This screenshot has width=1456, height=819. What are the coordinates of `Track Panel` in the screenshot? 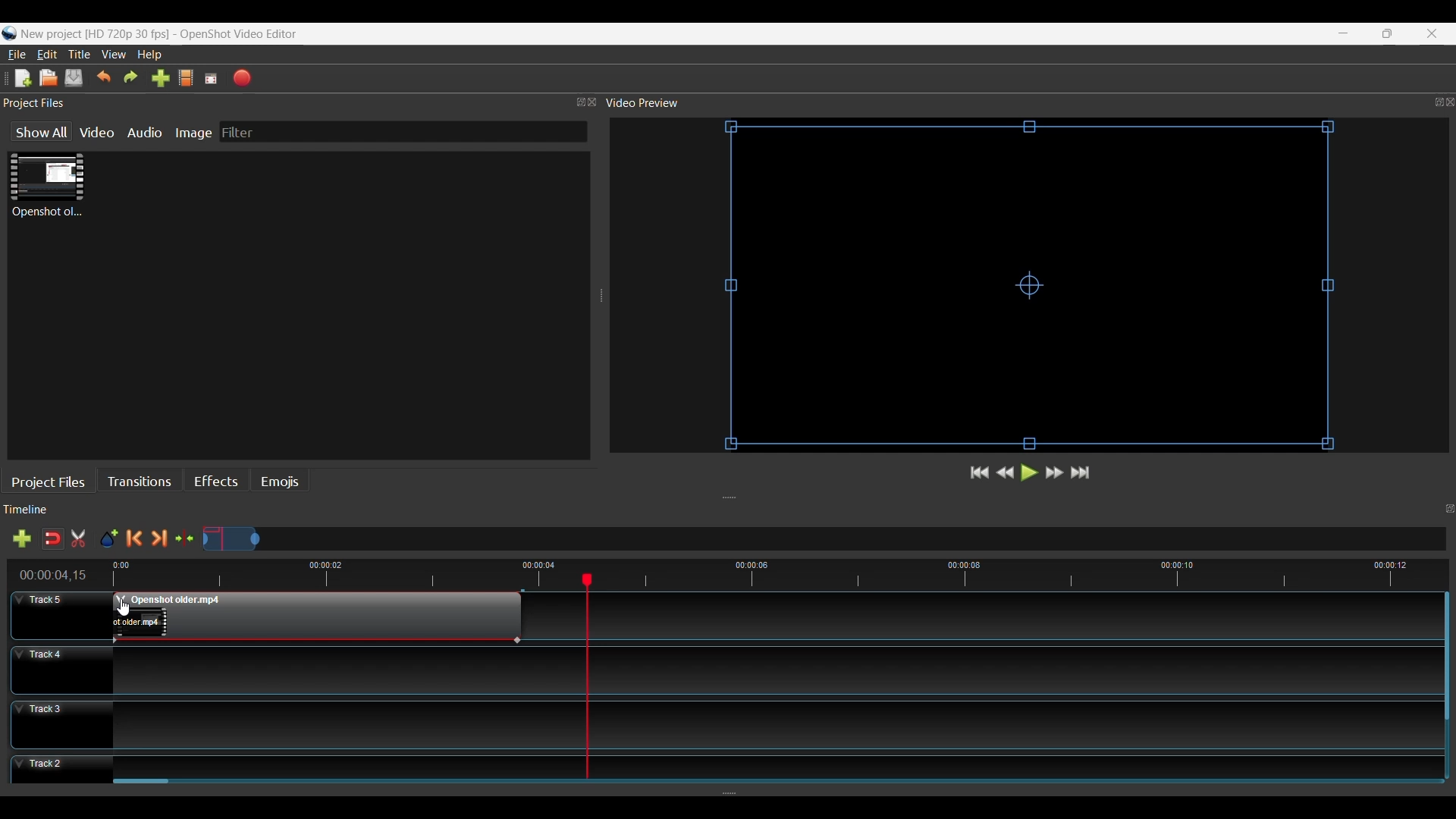 It's located at (770, 764).